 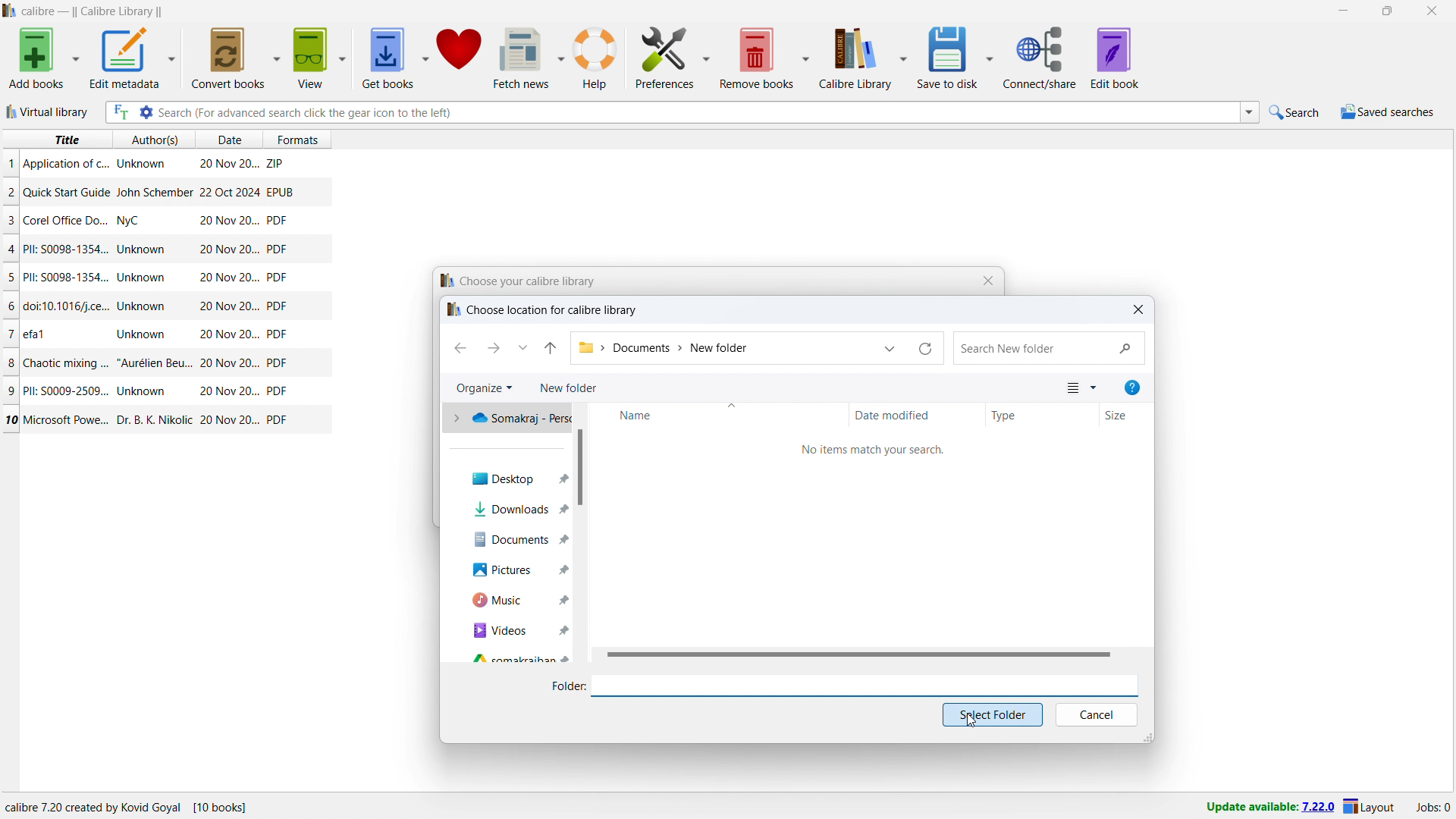 What do you see at coordinates (37, 58) in the screenshot?
I see `add books` at bounding box center [37, 58].